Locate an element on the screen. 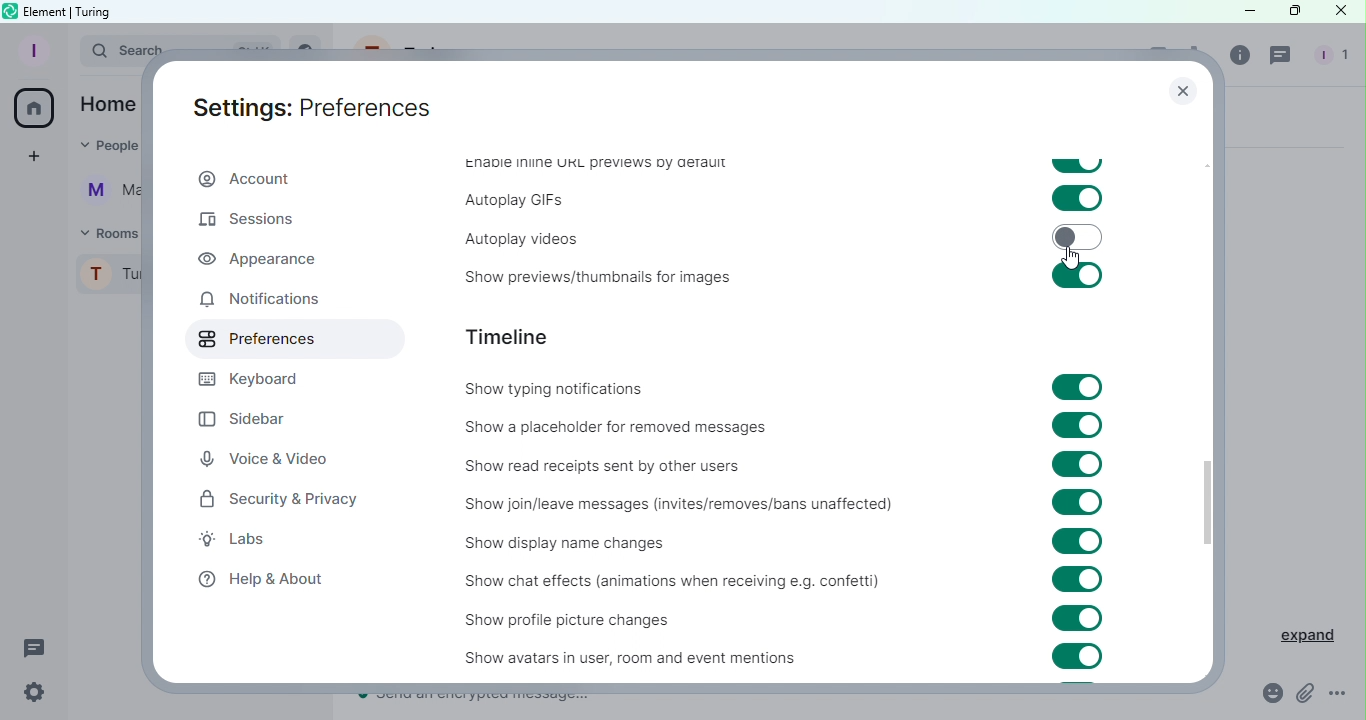  Settings: Preferences is located at coordinates (304, 106).